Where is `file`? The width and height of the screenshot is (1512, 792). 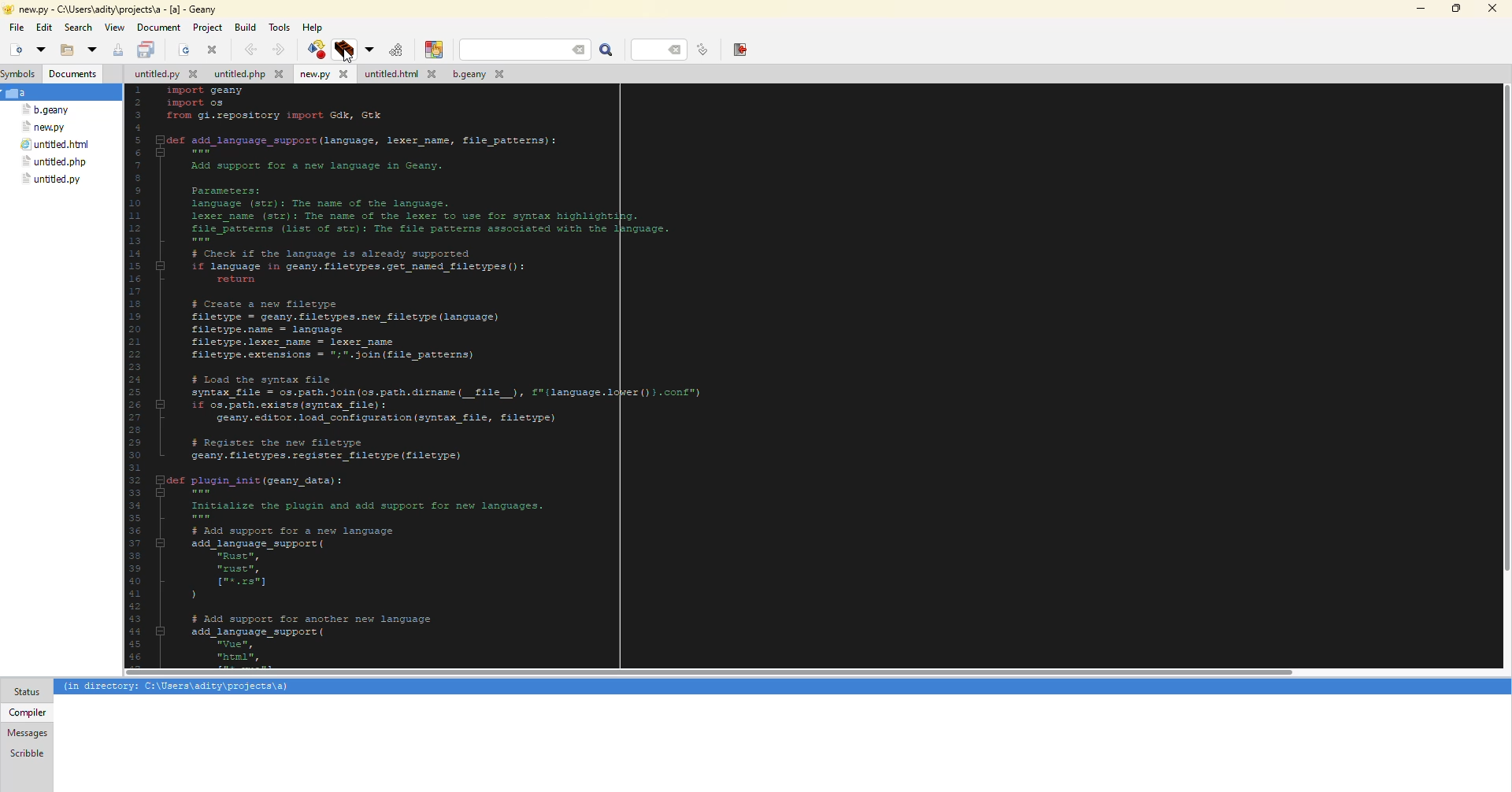 file is located at coordinates (55, 161).